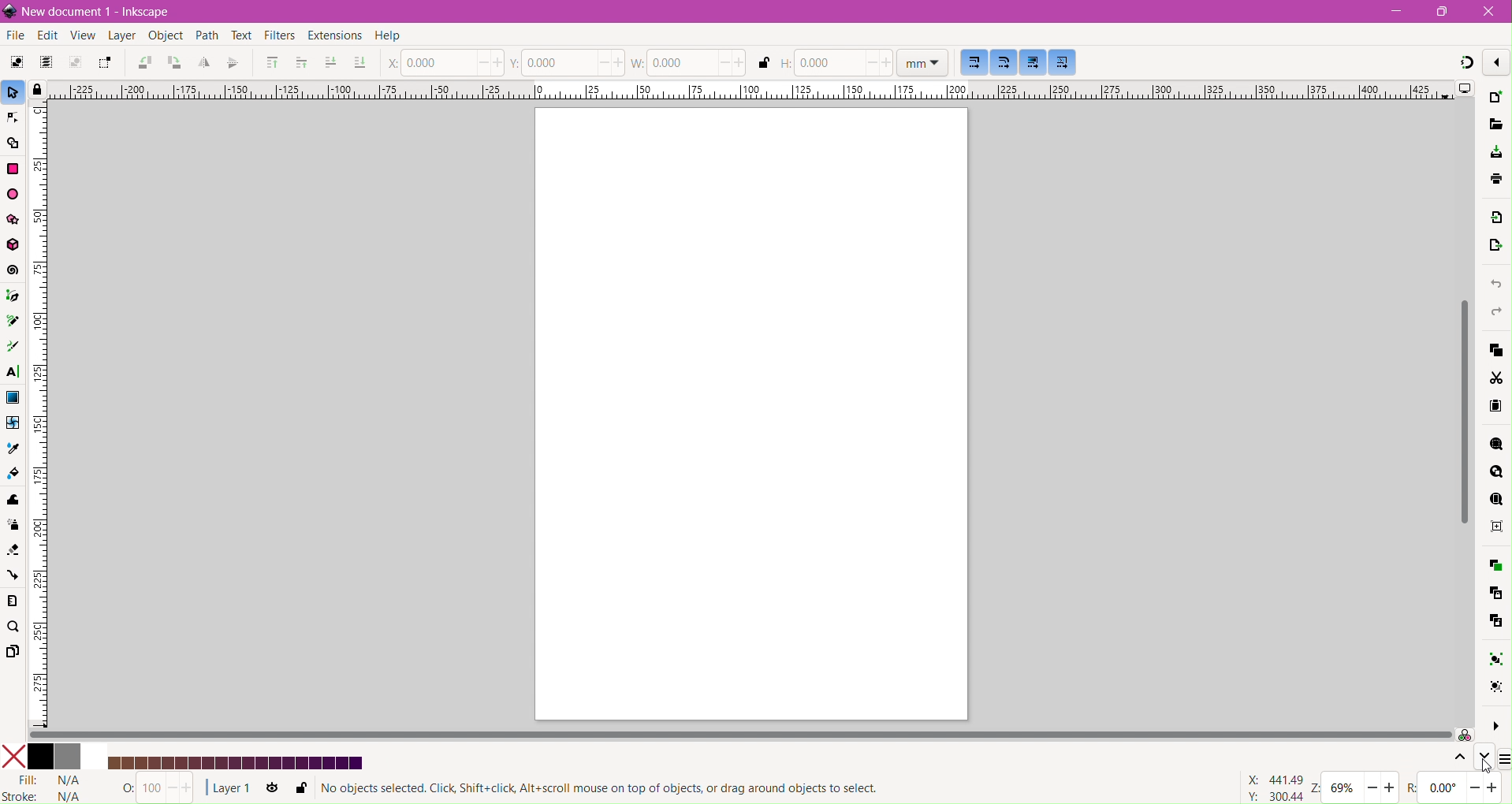  Describe the element at coordinates (1496, 217) in the screenshot. I see `Import` at that location.